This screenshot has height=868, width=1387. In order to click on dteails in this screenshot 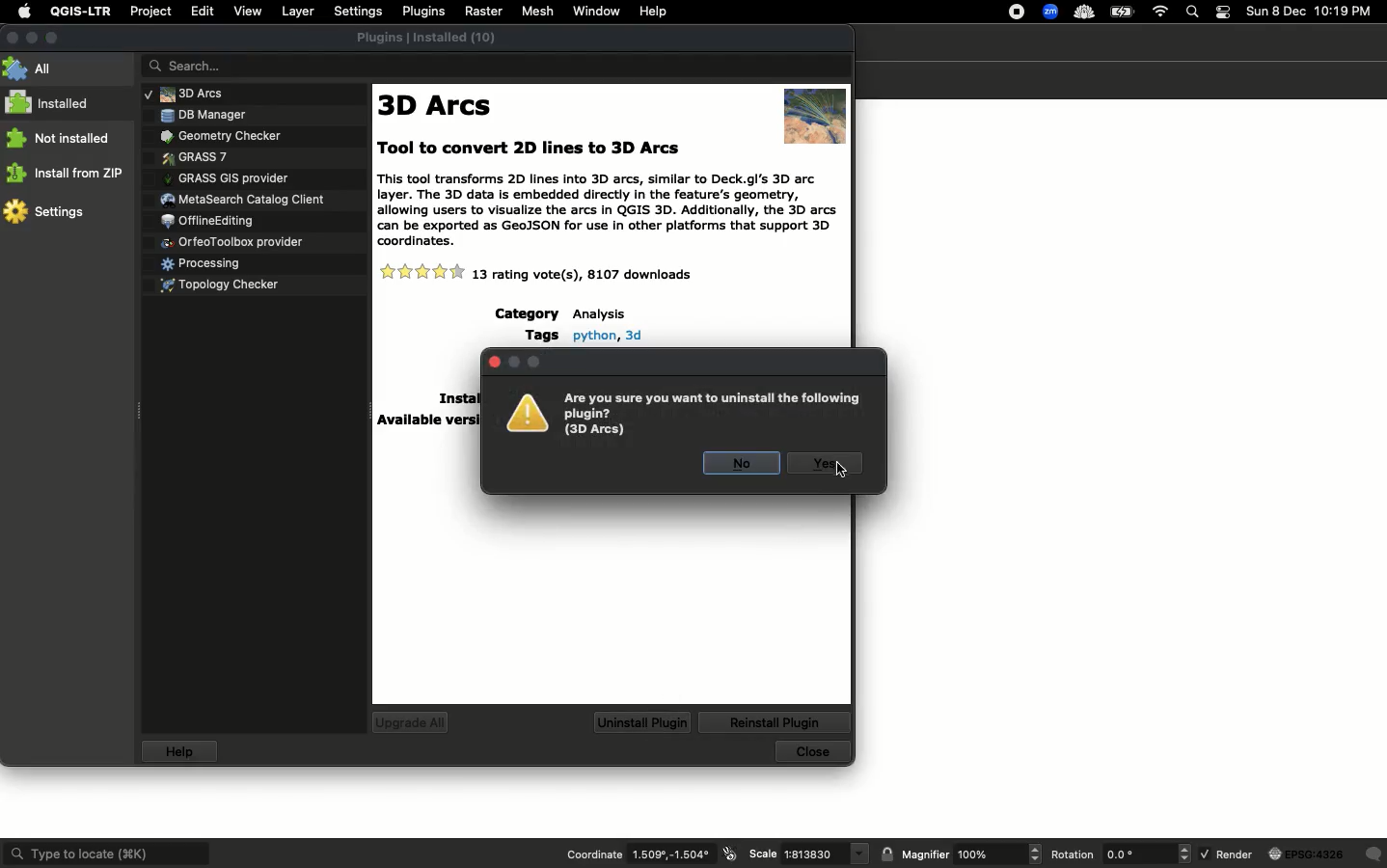, I will do `click(561, 313)`.